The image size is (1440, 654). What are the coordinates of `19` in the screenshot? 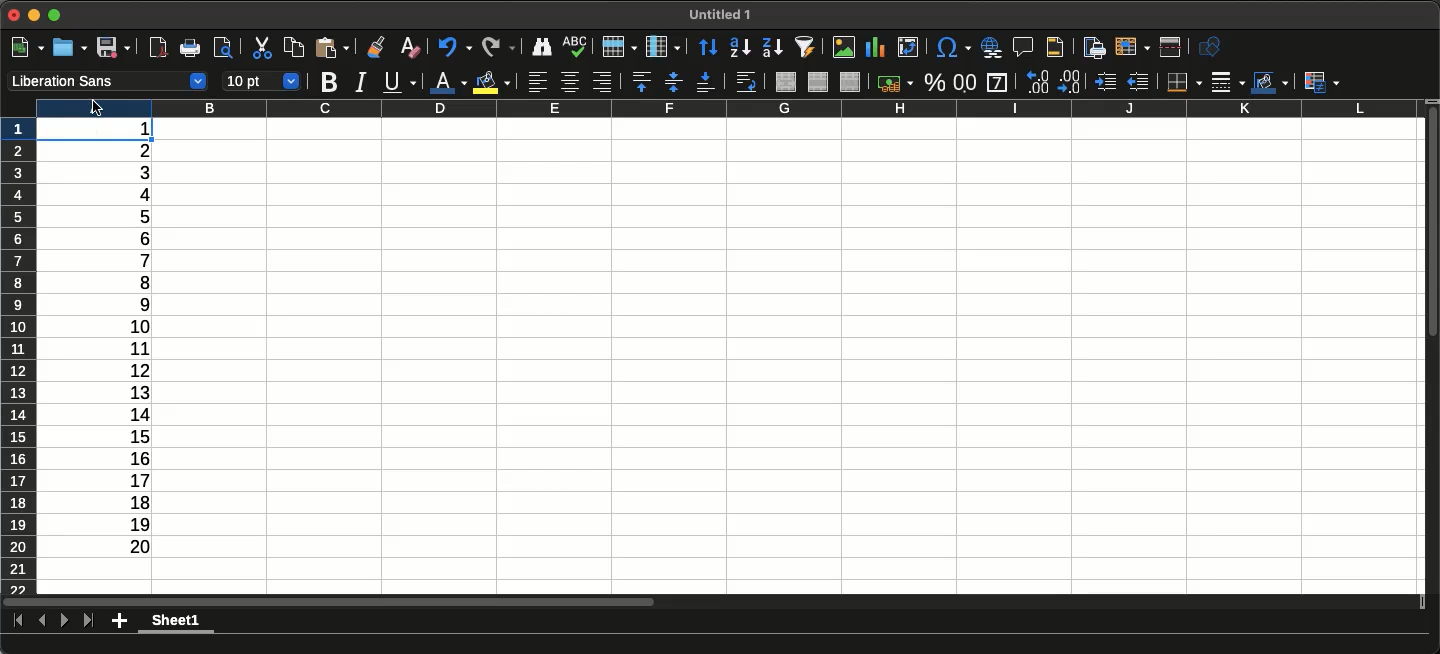 It's located at (139, 523).